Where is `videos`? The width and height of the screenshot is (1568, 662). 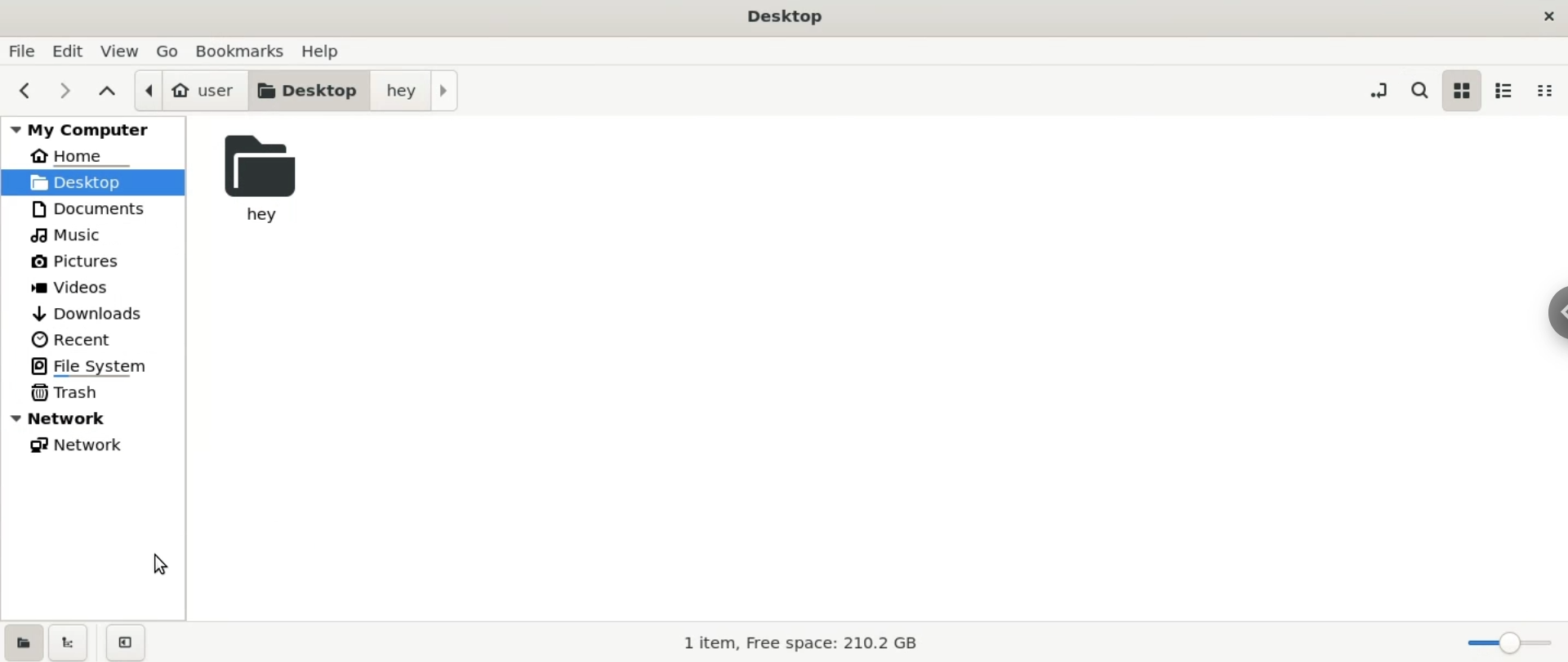 videos is located at coordinates (76, 286).